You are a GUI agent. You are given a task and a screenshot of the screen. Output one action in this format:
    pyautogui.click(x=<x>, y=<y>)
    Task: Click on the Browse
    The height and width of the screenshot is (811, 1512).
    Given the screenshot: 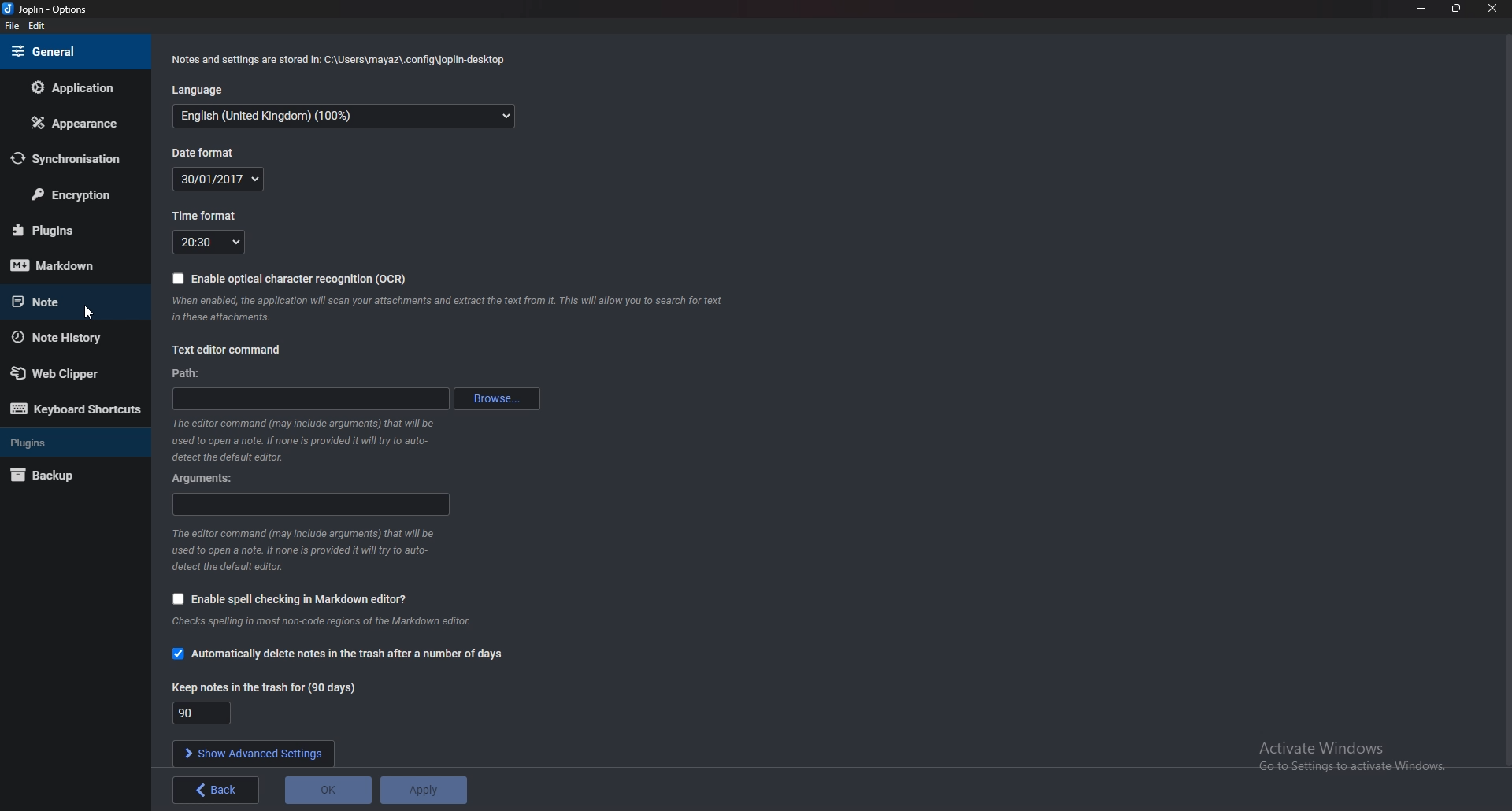 What is the action you would take?
    pyautogui.click(x=498, y=400)
    